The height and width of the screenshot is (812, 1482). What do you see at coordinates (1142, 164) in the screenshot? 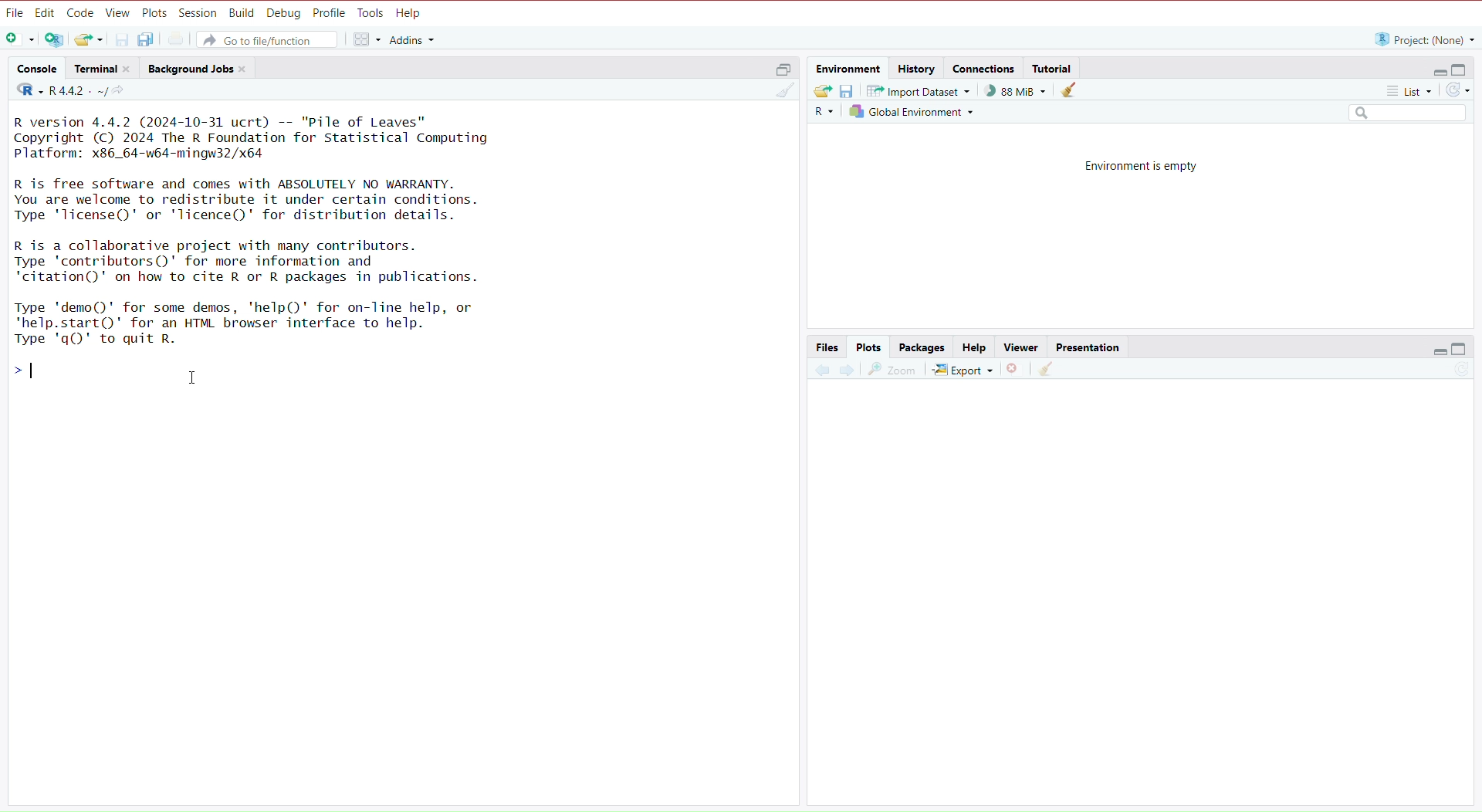
I see `Environment is empty` at bounding box center [1142, 164].